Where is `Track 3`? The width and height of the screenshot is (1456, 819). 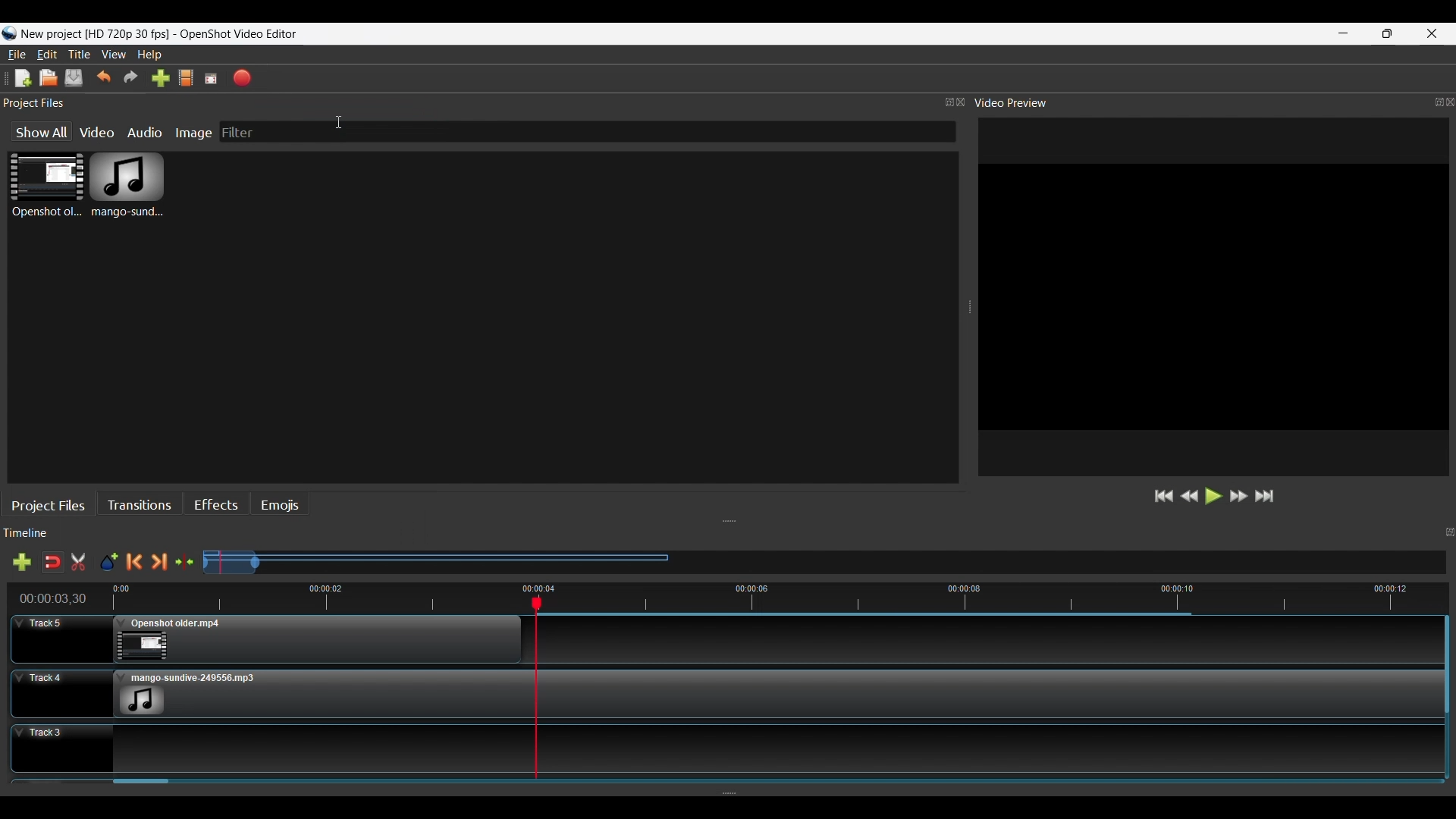 Track 3 is located at coordinates (263, 745).